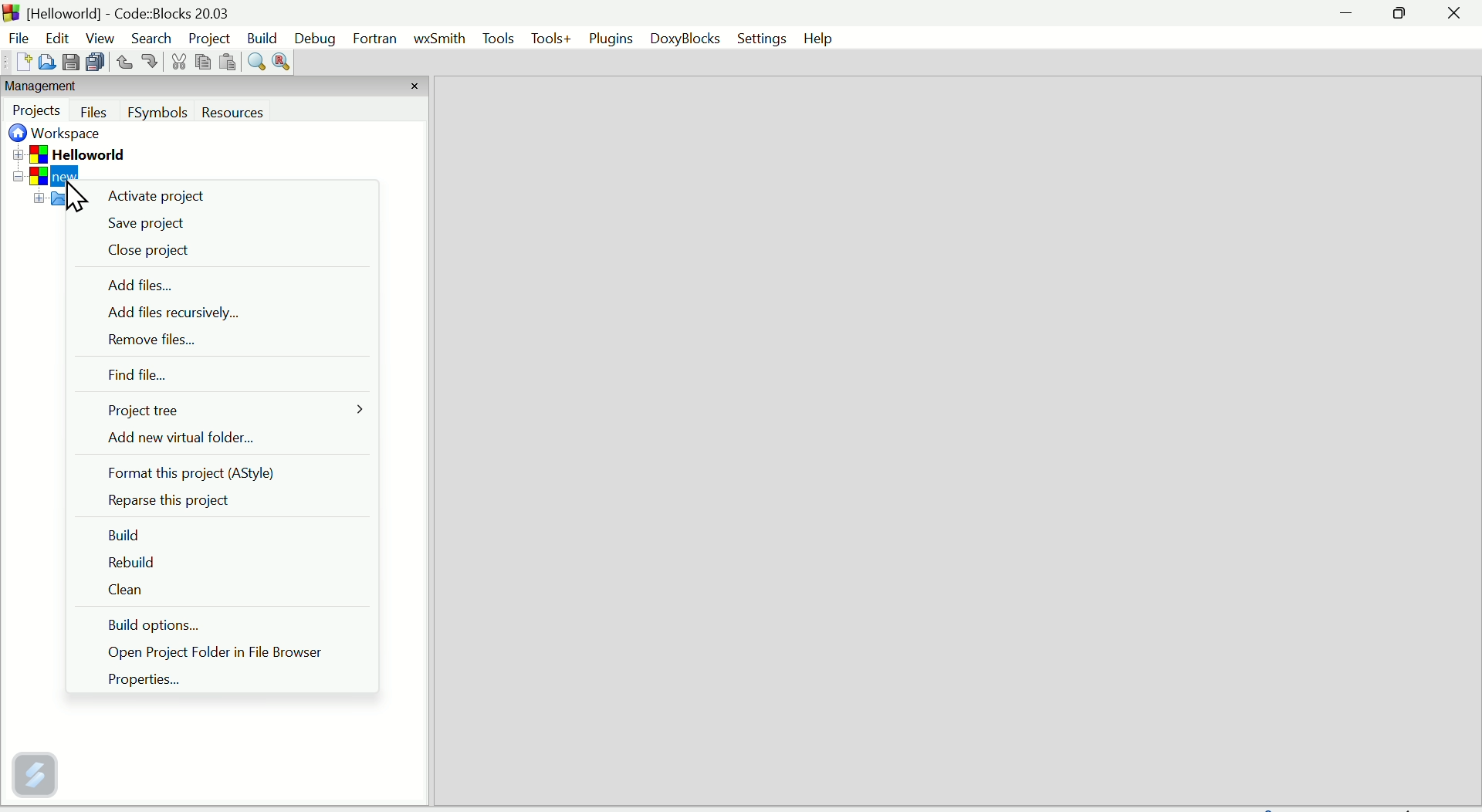  I want to click on Edit, so click(51, 34).